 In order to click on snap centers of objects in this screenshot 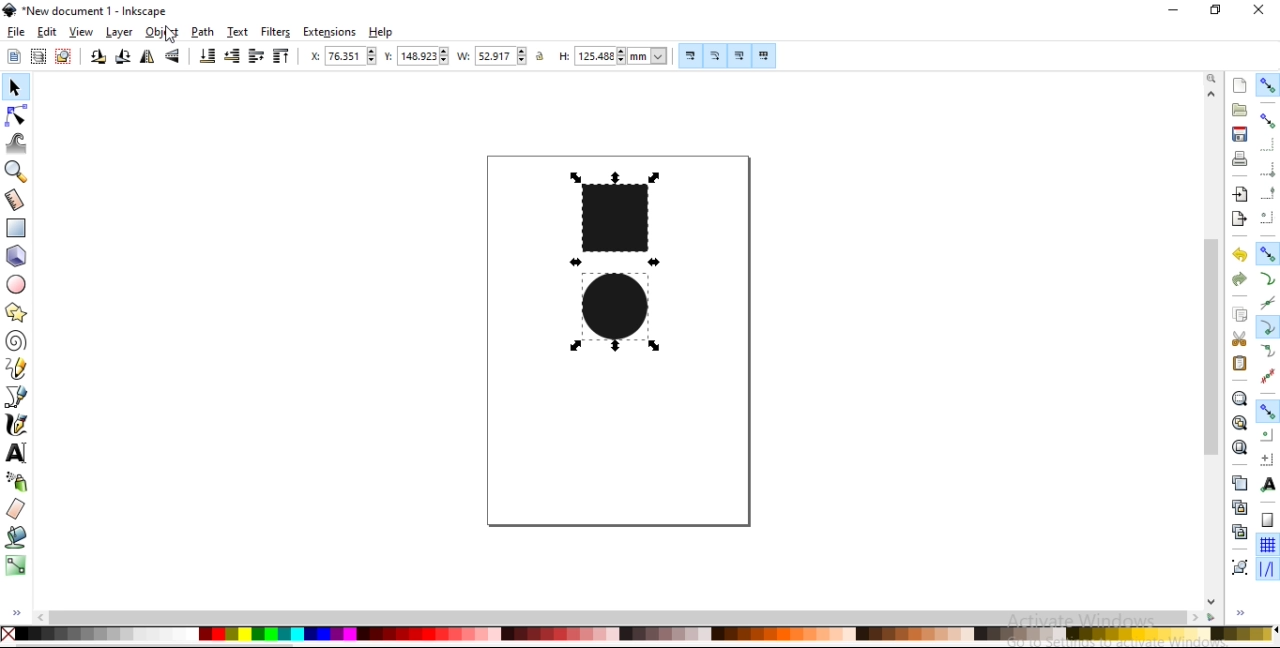, I will do `click(1267, 436)`.